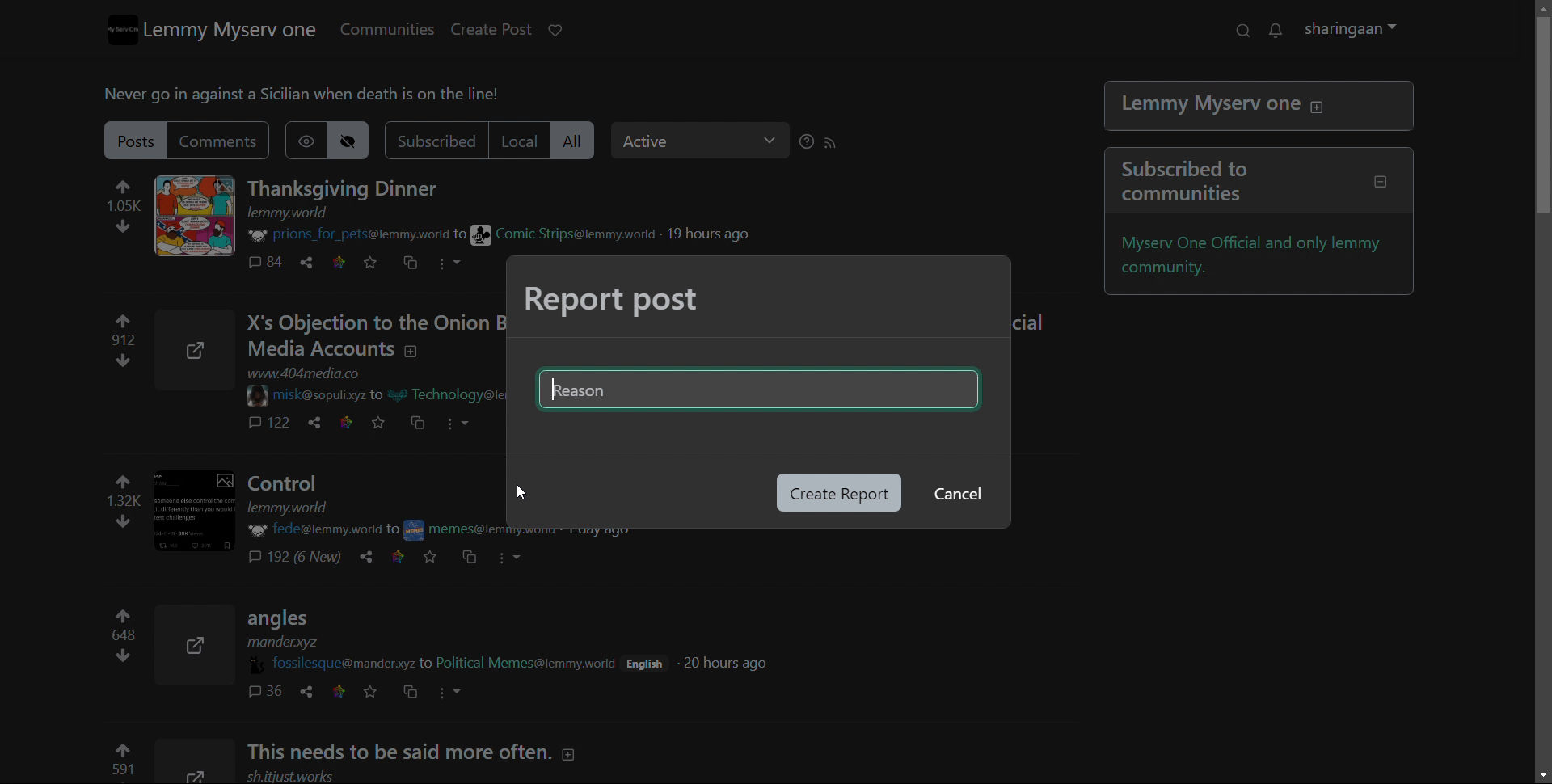 The width and height of the screenshot is (1552, 784). What do you see at coordinates (1264, 182) in the screenshot?
I see `Subscribed to communities` at bounding box center [1264, 182].